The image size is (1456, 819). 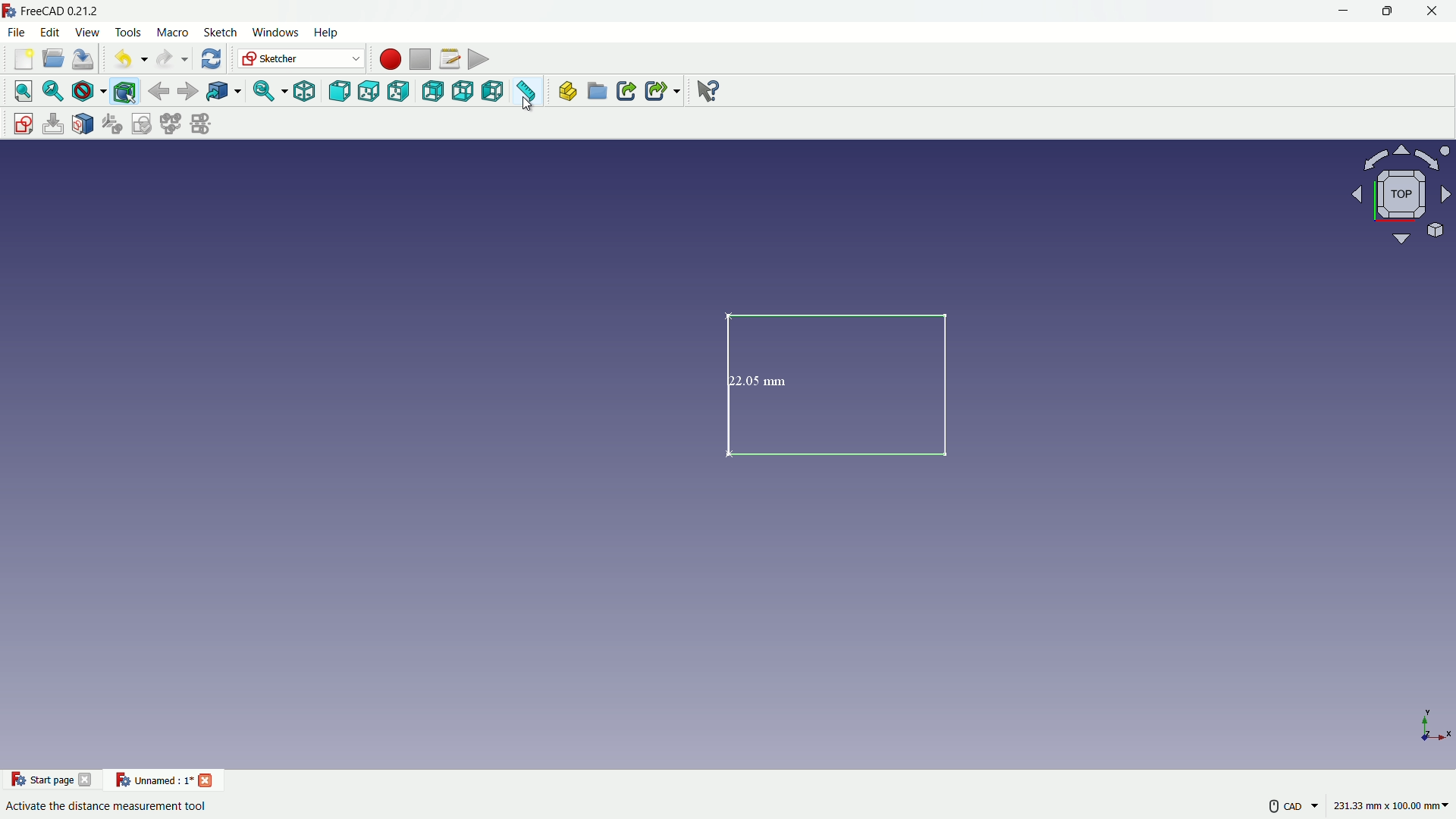 What do you see at coordinates (432, 91) in the screenshot?
I see `back view` at bounding box center [432, 91].